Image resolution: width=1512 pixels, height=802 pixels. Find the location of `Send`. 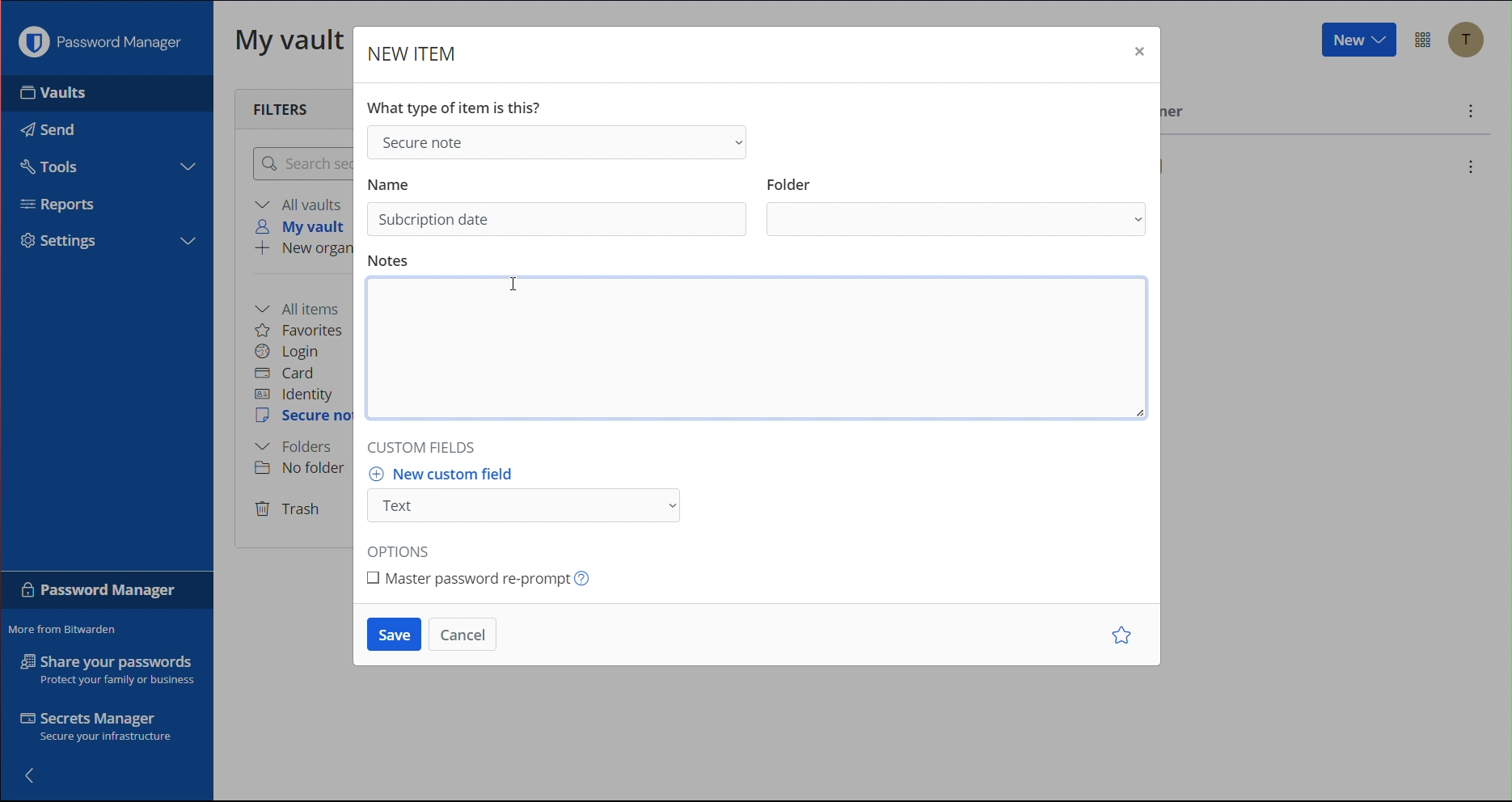

Send is located at coordinates (44, 125).